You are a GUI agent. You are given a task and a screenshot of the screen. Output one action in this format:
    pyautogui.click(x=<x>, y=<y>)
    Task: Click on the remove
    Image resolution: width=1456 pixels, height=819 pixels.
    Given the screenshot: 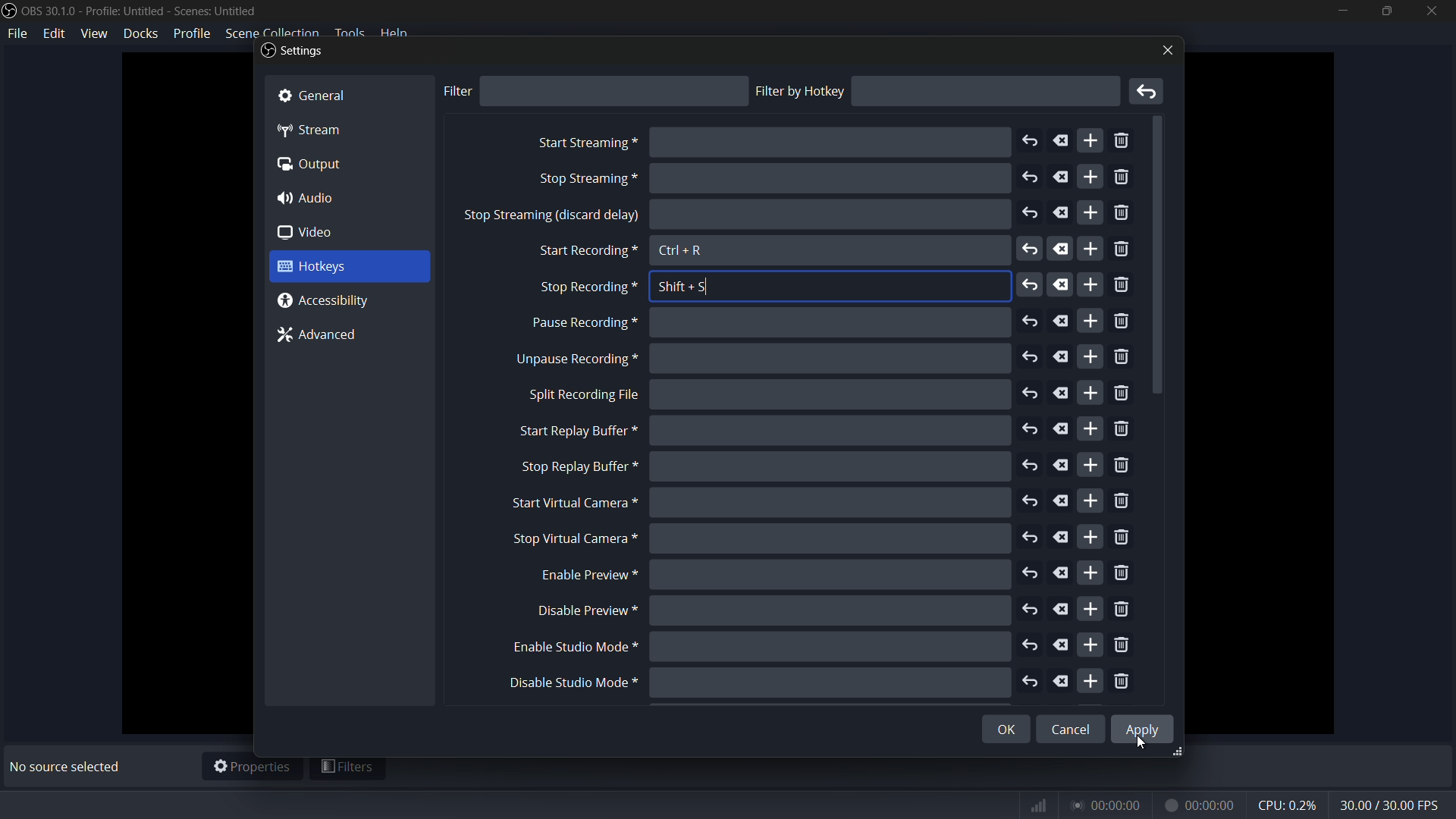 What is the action you would take?
    pyautogui.click(x=1123, y=179)
    